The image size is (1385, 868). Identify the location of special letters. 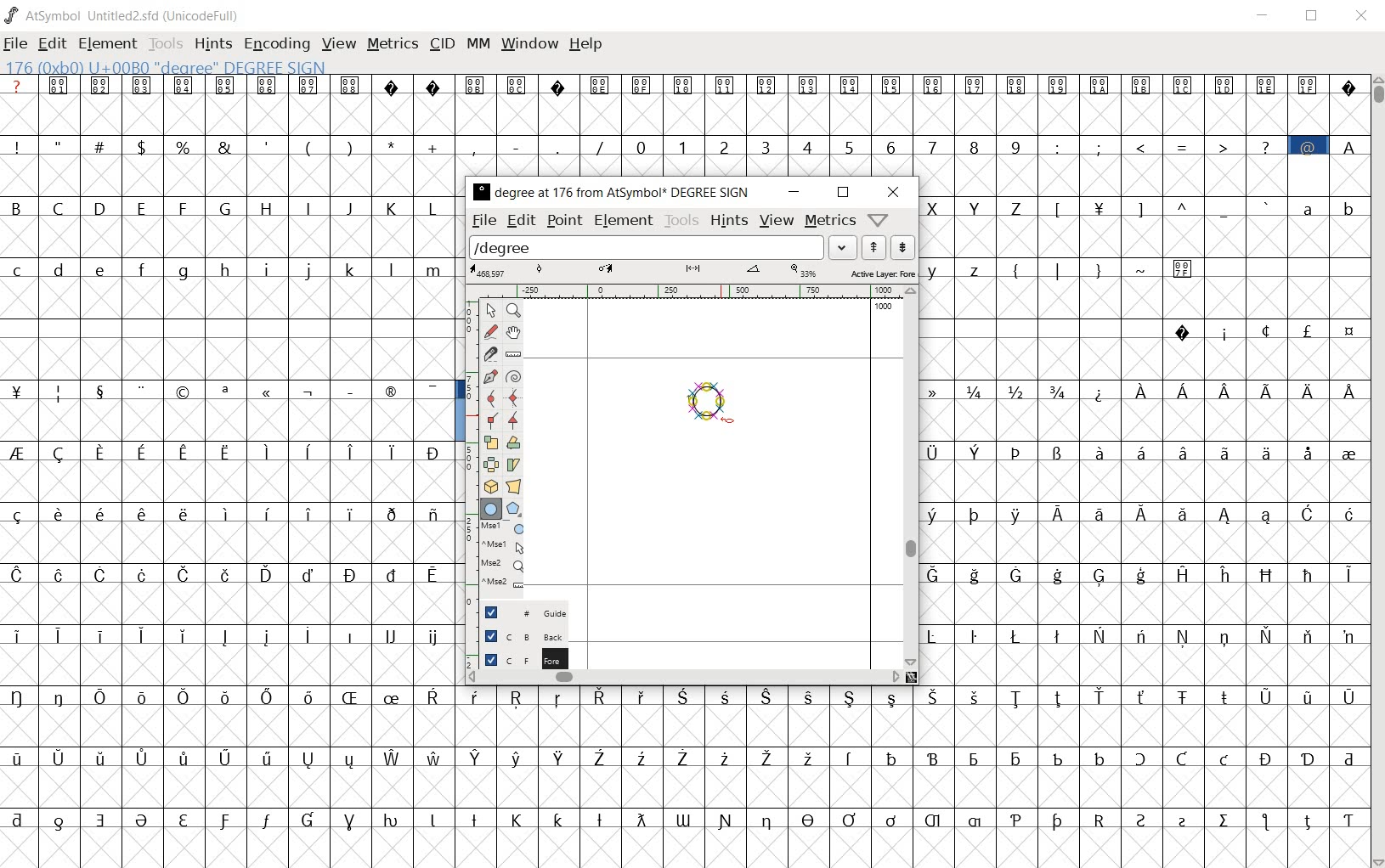
(229, 757).